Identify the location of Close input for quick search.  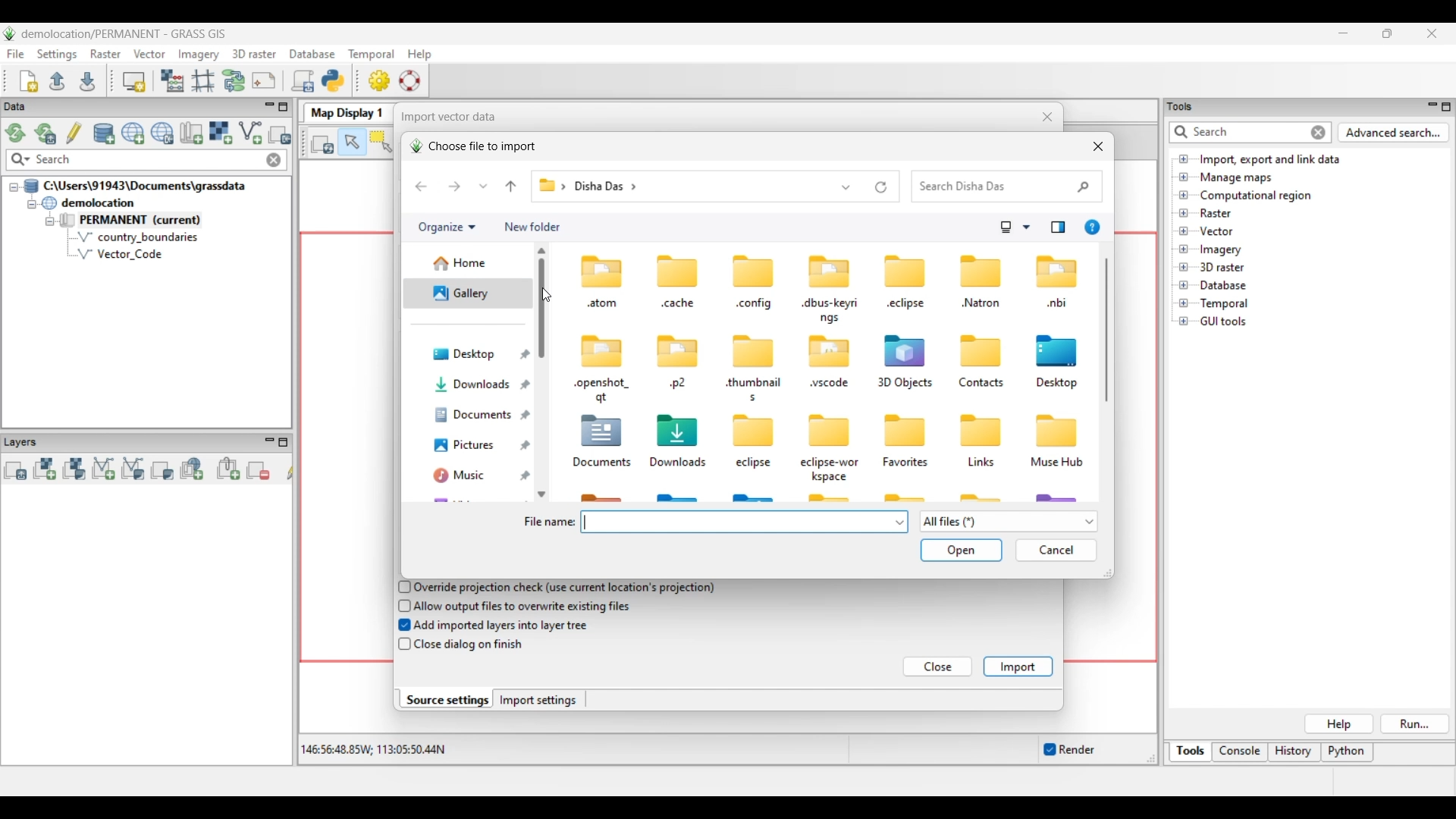
(1319, 133).